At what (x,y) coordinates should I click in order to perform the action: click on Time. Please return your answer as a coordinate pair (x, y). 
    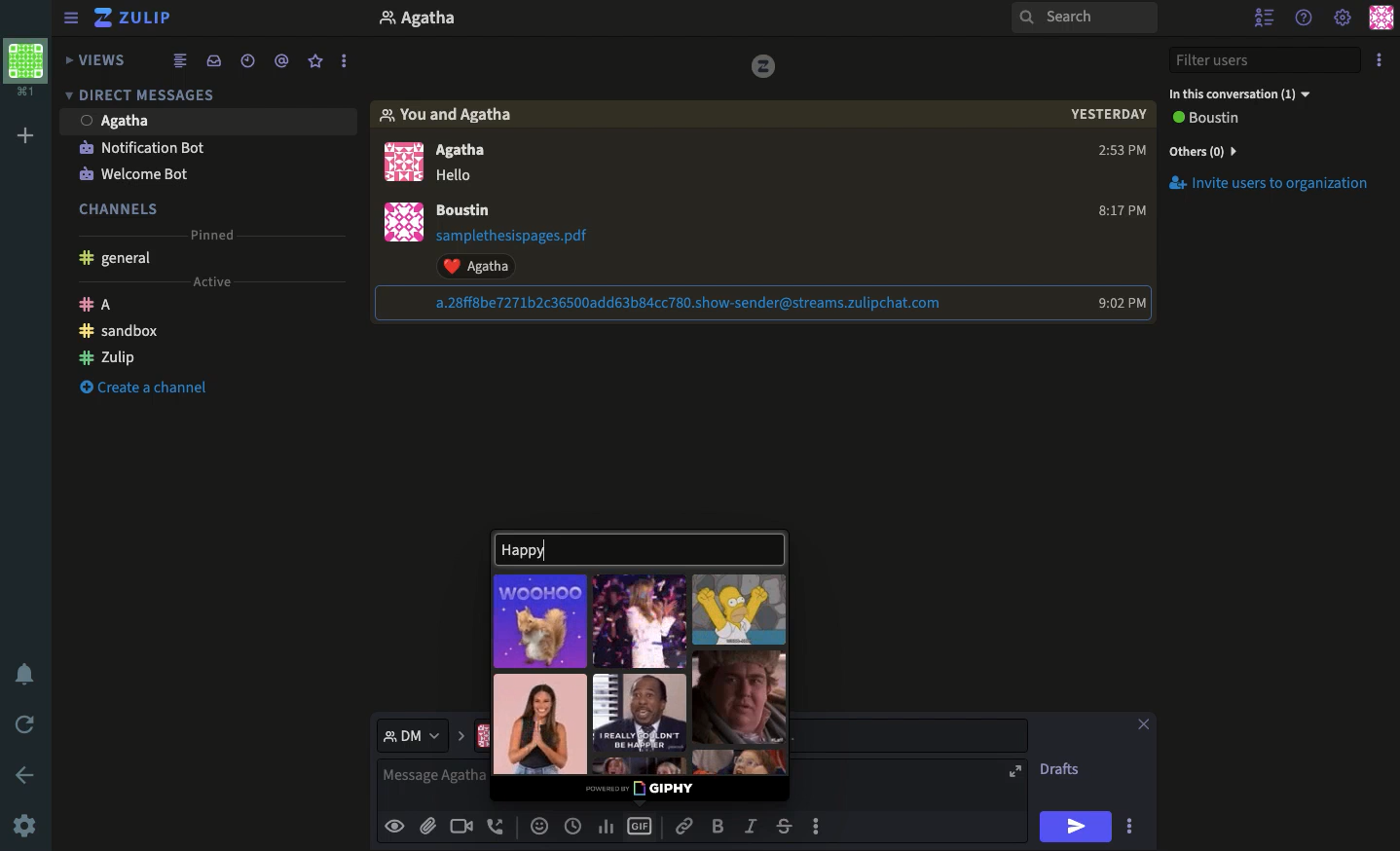
    Looking at the image, I should click on (1107, 120).